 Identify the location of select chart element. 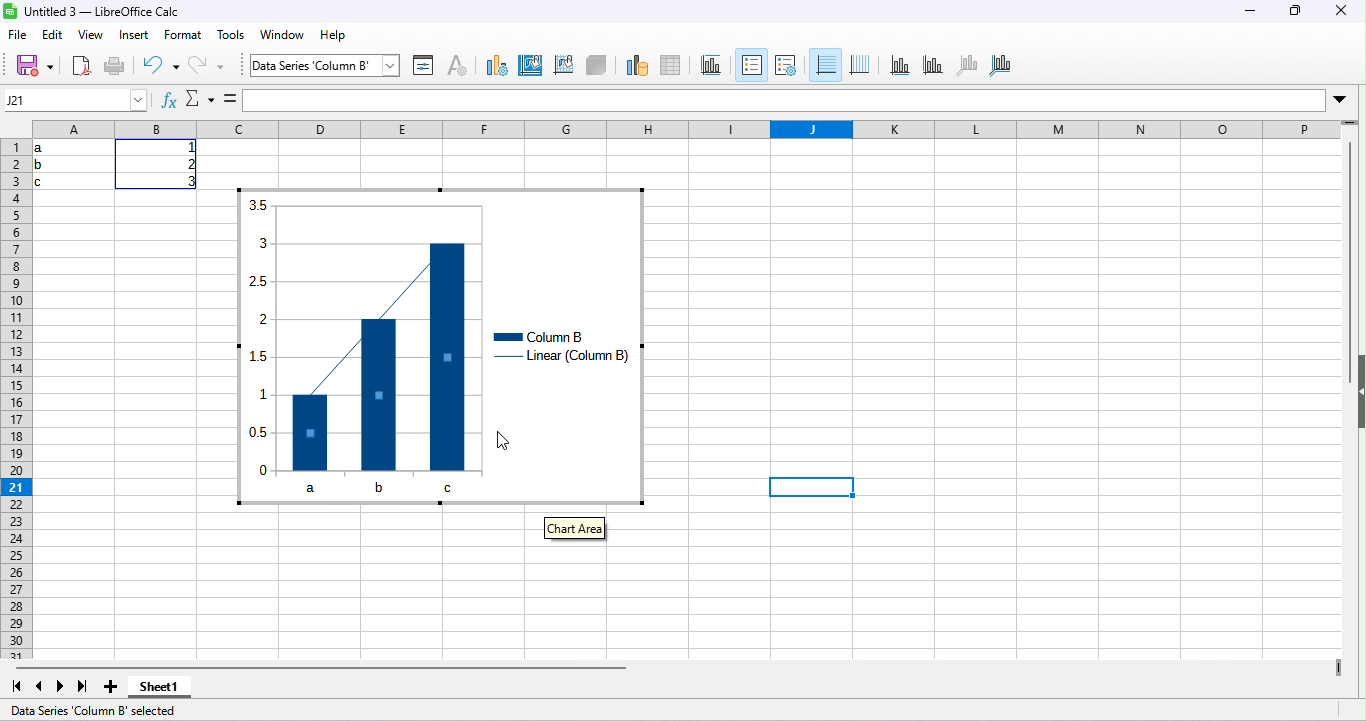
(389, 64).